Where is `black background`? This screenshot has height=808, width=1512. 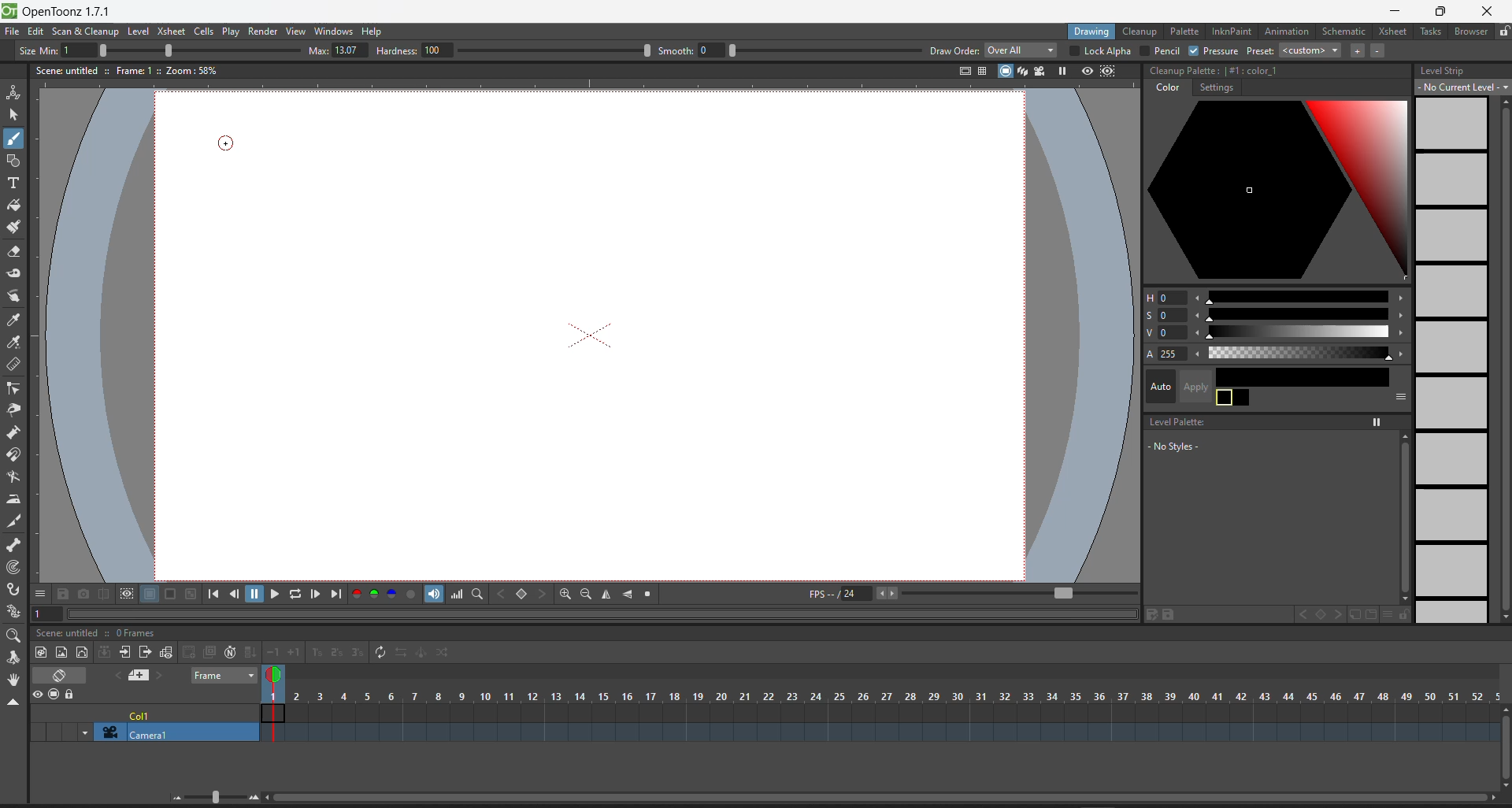 black background is located at coordinates (170, 594).